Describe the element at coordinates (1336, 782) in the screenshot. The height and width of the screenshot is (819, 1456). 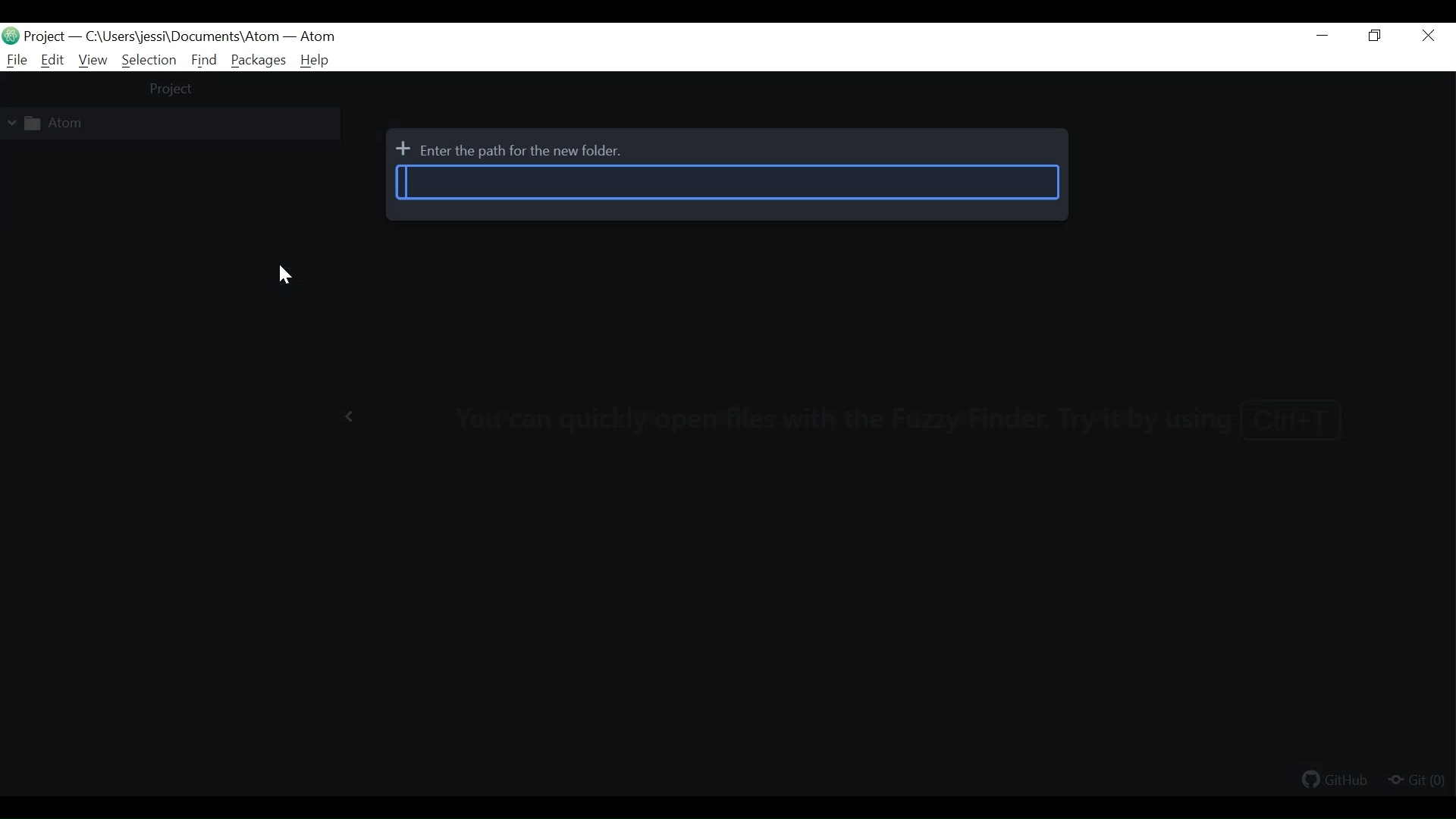
I see `Github` at that location.